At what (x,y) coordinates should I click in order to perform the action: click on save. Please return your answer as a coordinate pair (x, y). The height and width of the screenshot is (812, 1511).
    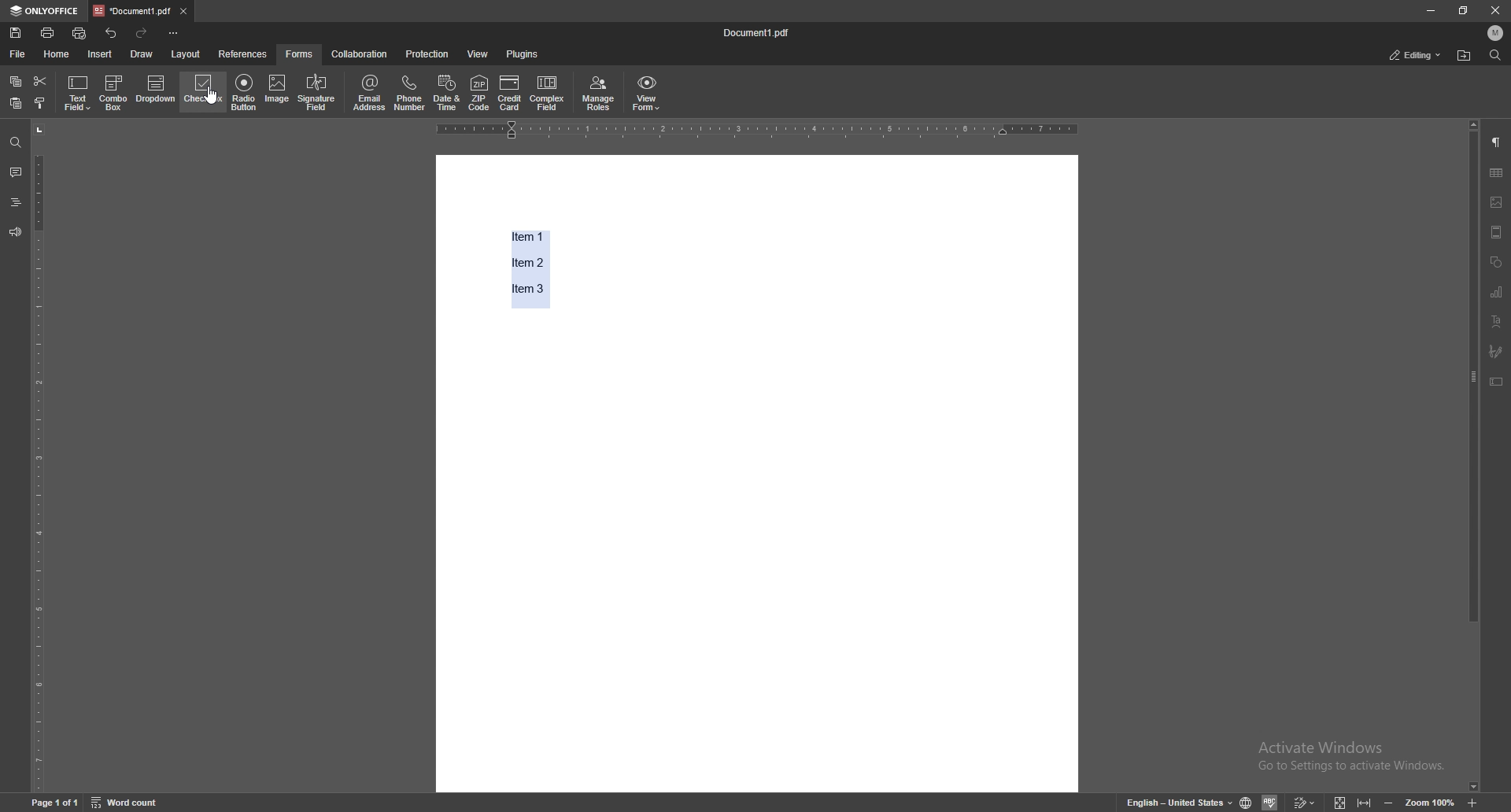
    Looking at the image, I should click on (16, 33).